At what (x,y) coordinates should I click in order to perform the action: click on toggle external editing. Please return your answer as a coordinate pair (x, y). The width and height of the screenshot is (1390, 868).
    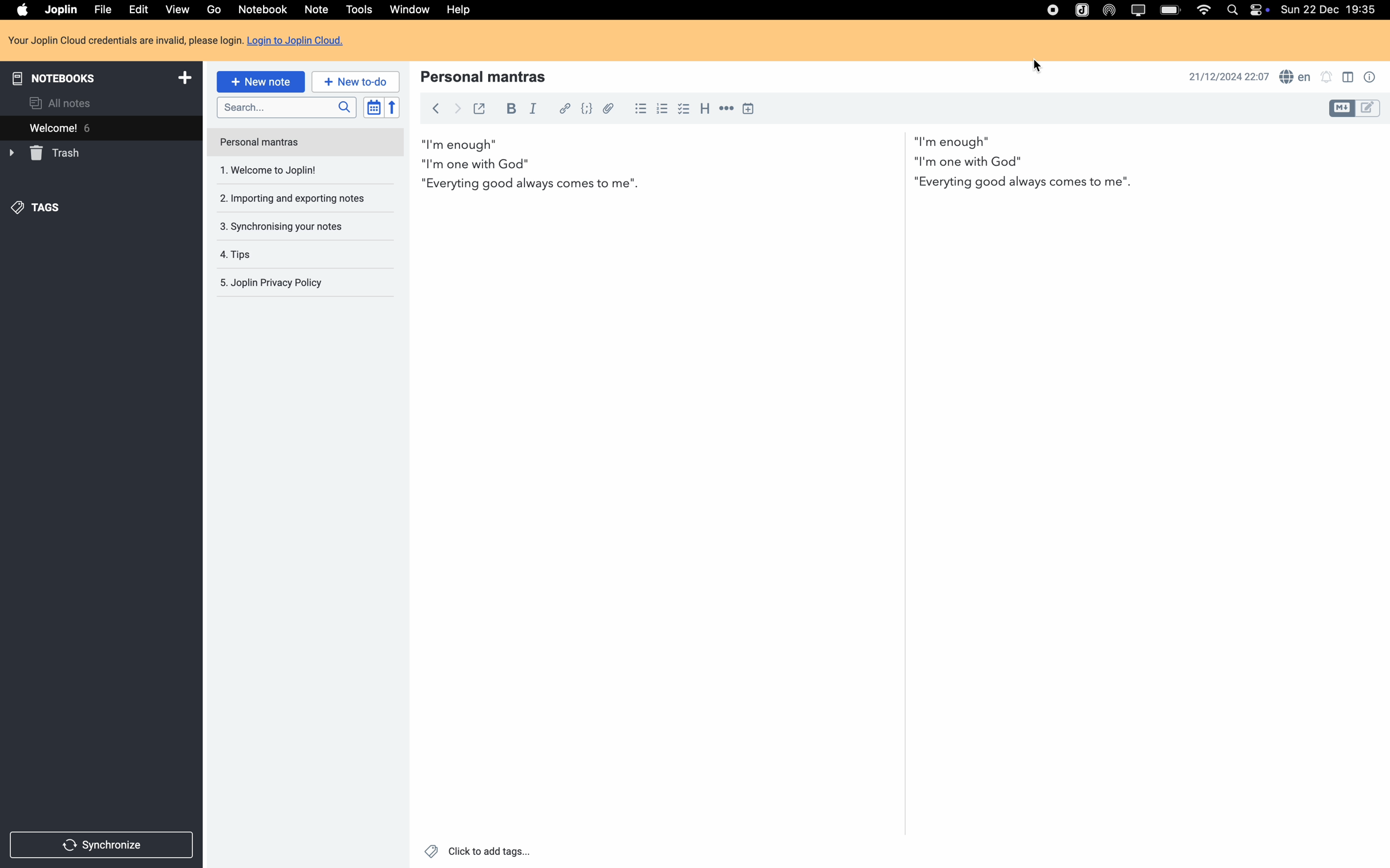
    Looking at the image, I should click on (480, 108).